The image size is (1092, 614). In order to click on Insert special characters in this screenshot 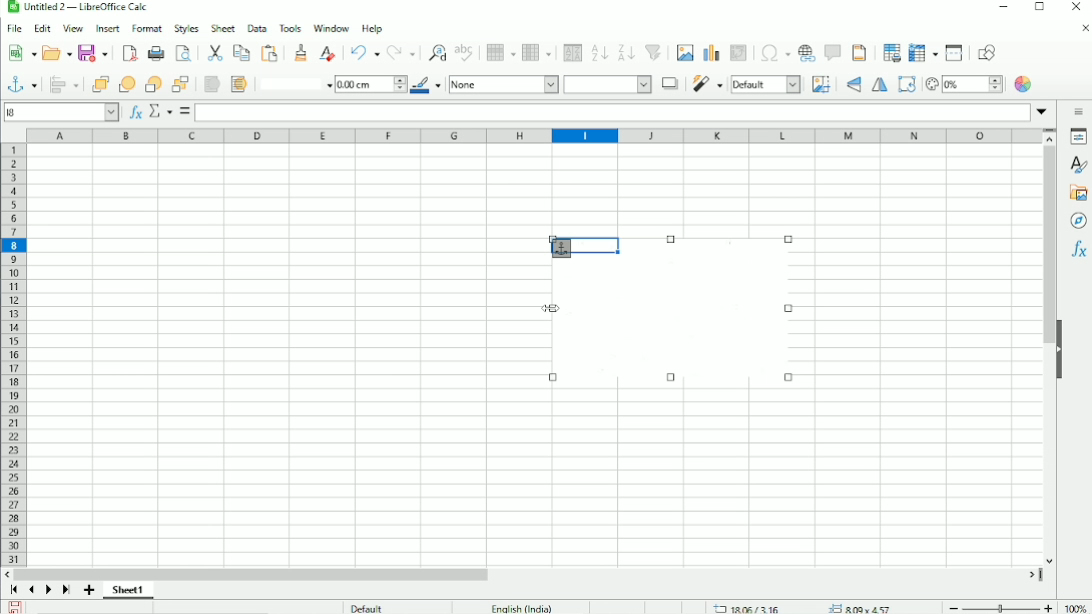, I will do `click(772, 53)`.